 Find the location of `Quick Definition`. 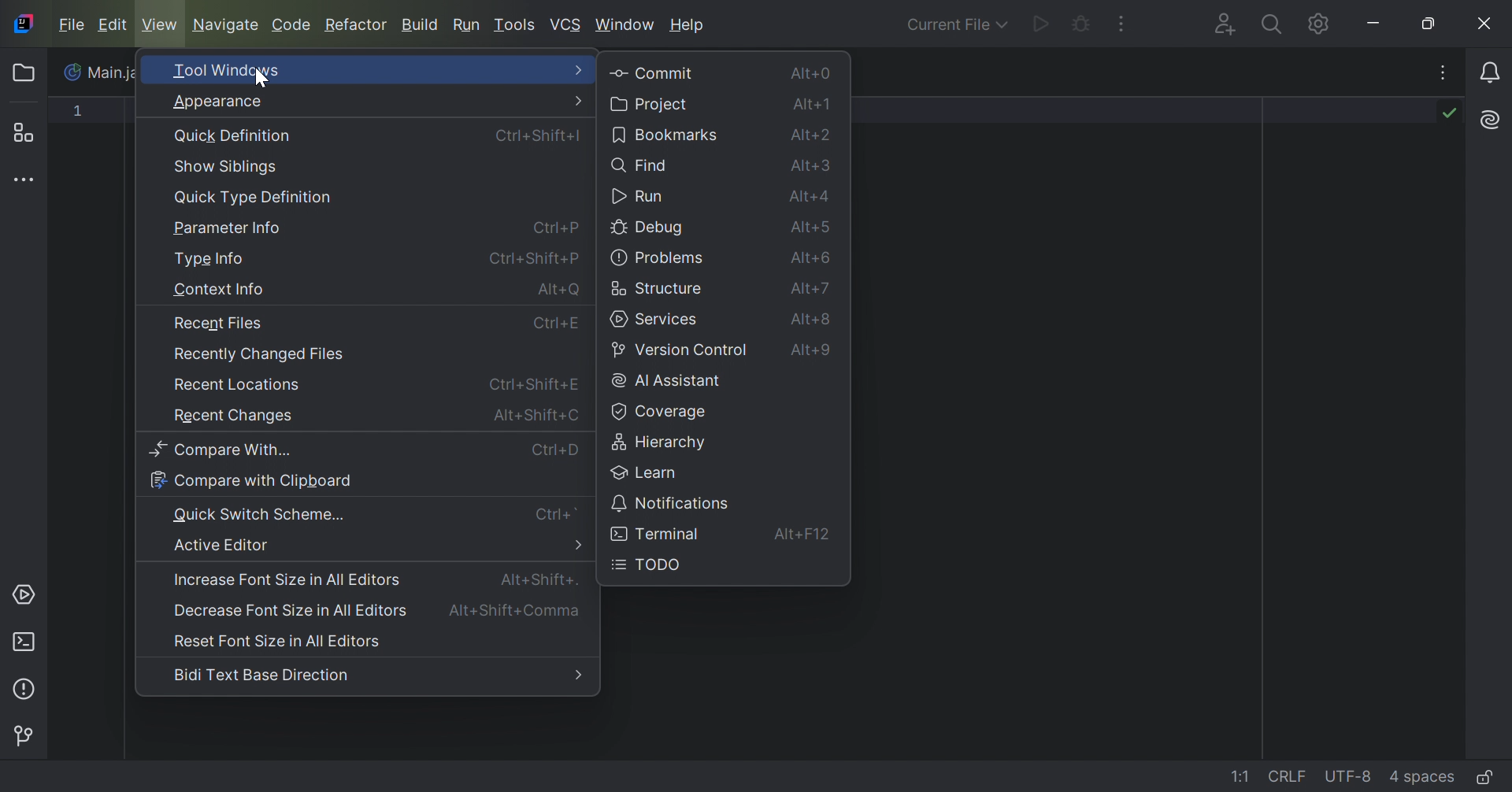

Quick Definition is located at coordinates (235, 136).